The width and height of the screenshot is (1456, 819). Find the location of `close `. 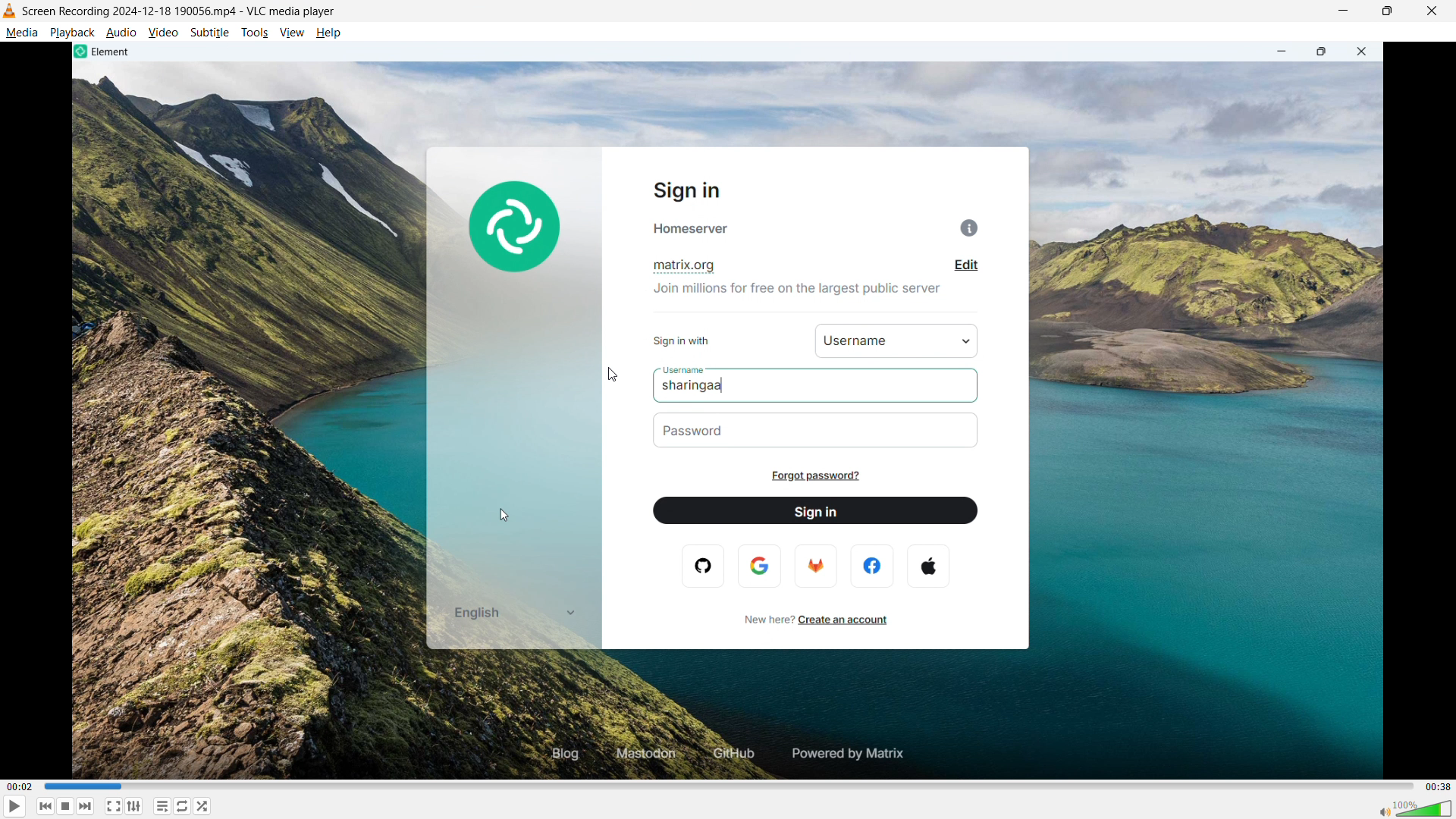

close  is located at coordinates (1430, 11).